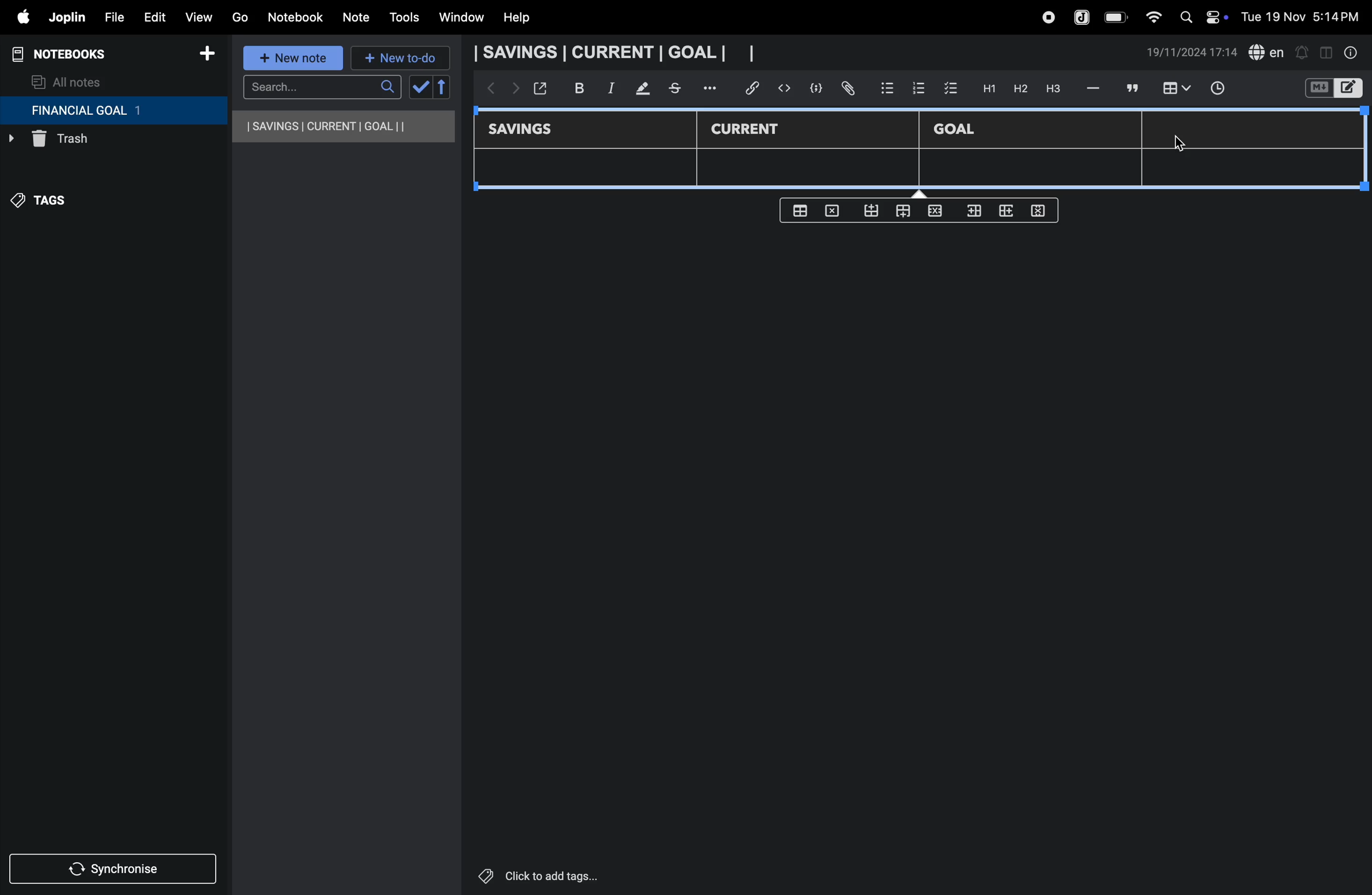  What do you see at coordinates (812, 88) in the screenshot?
I see `code block` at bounding box center [812, 88].